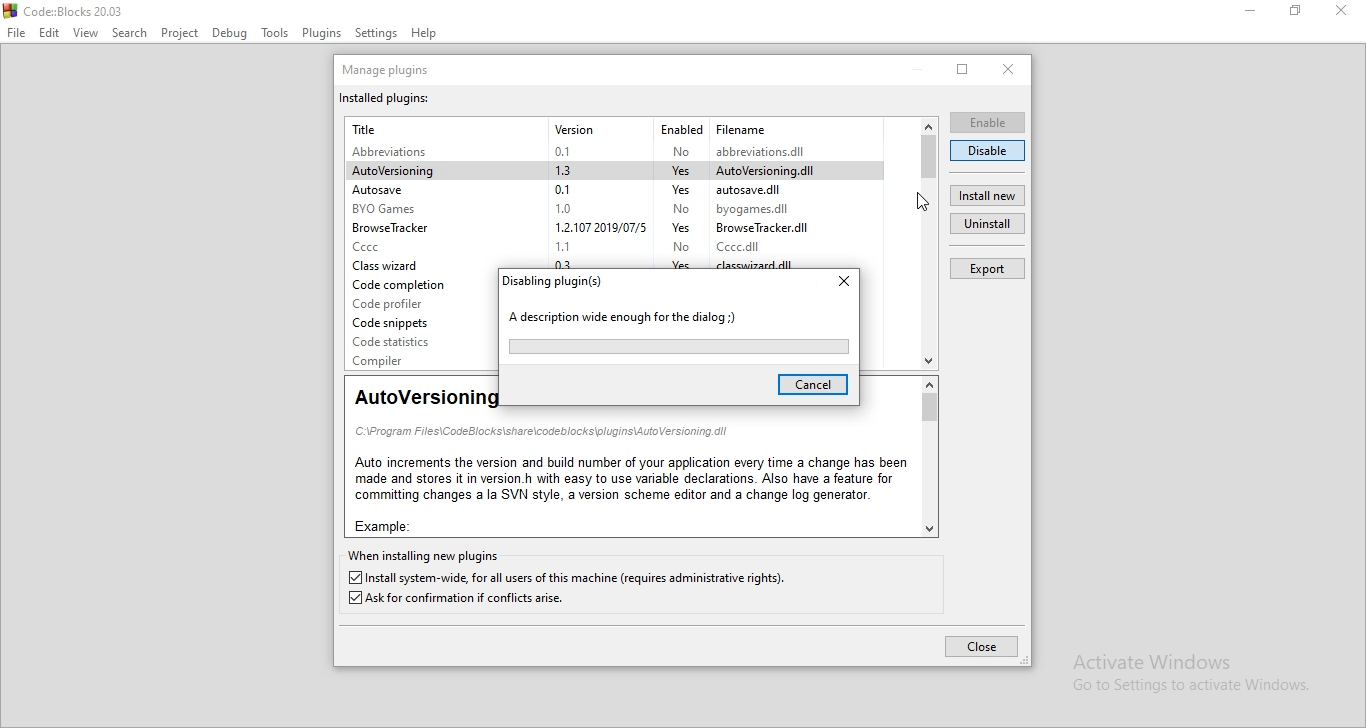 This screenshot has width=1366, height=728. Describe the element at coordinates (680, 228) in the screenshot. I see `yes` at that location.